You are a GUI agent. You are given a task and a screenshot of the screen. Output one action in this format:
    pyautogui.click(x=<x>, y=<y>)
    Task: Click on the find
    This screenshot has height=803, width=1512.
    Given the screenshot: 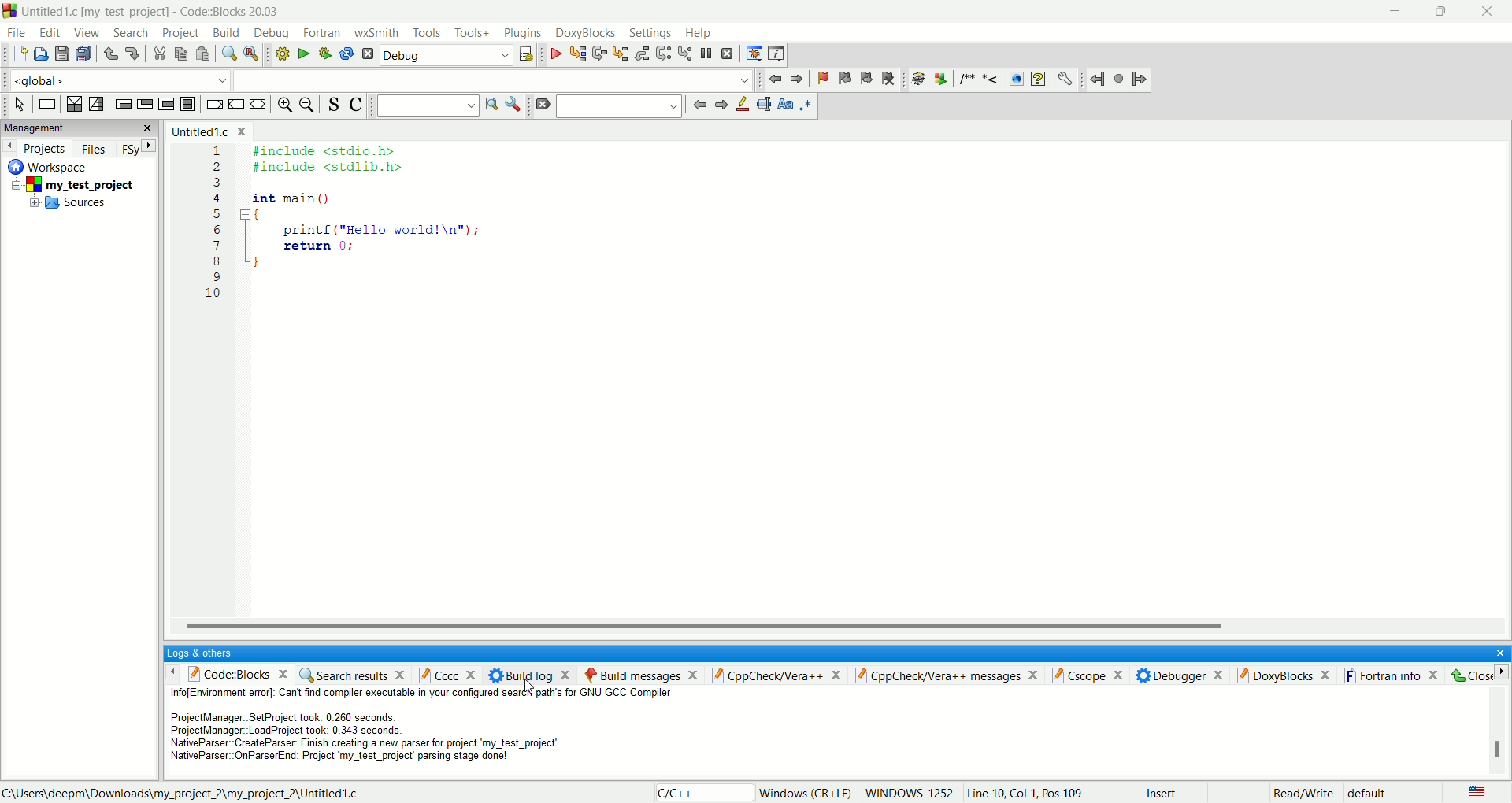 What is the action you would take?
    pyautogui.click(x=227, y=54)
    